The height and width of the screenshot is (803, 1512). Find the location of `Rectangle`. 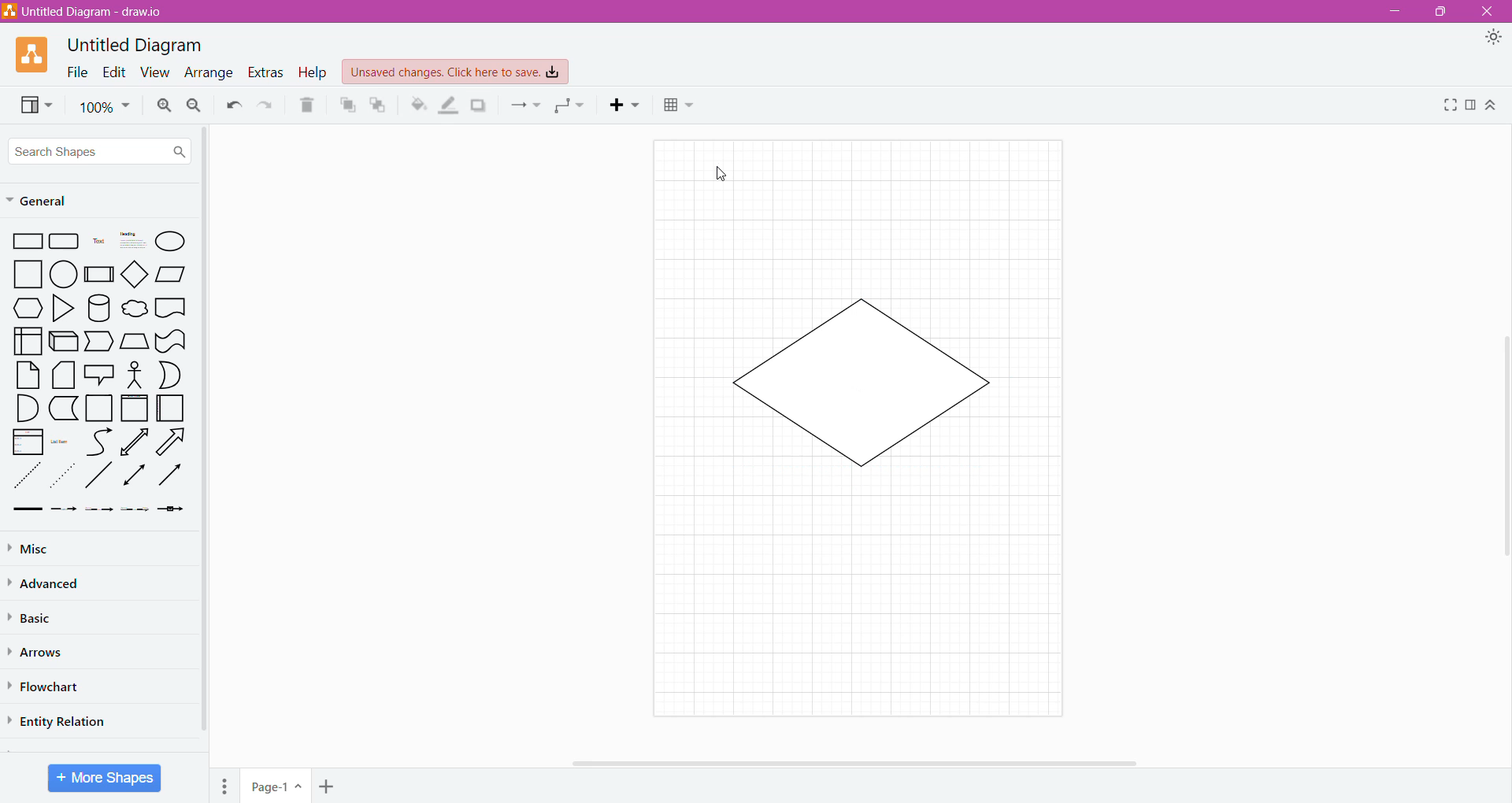

Rectangle is located at coordinates (28, 242).